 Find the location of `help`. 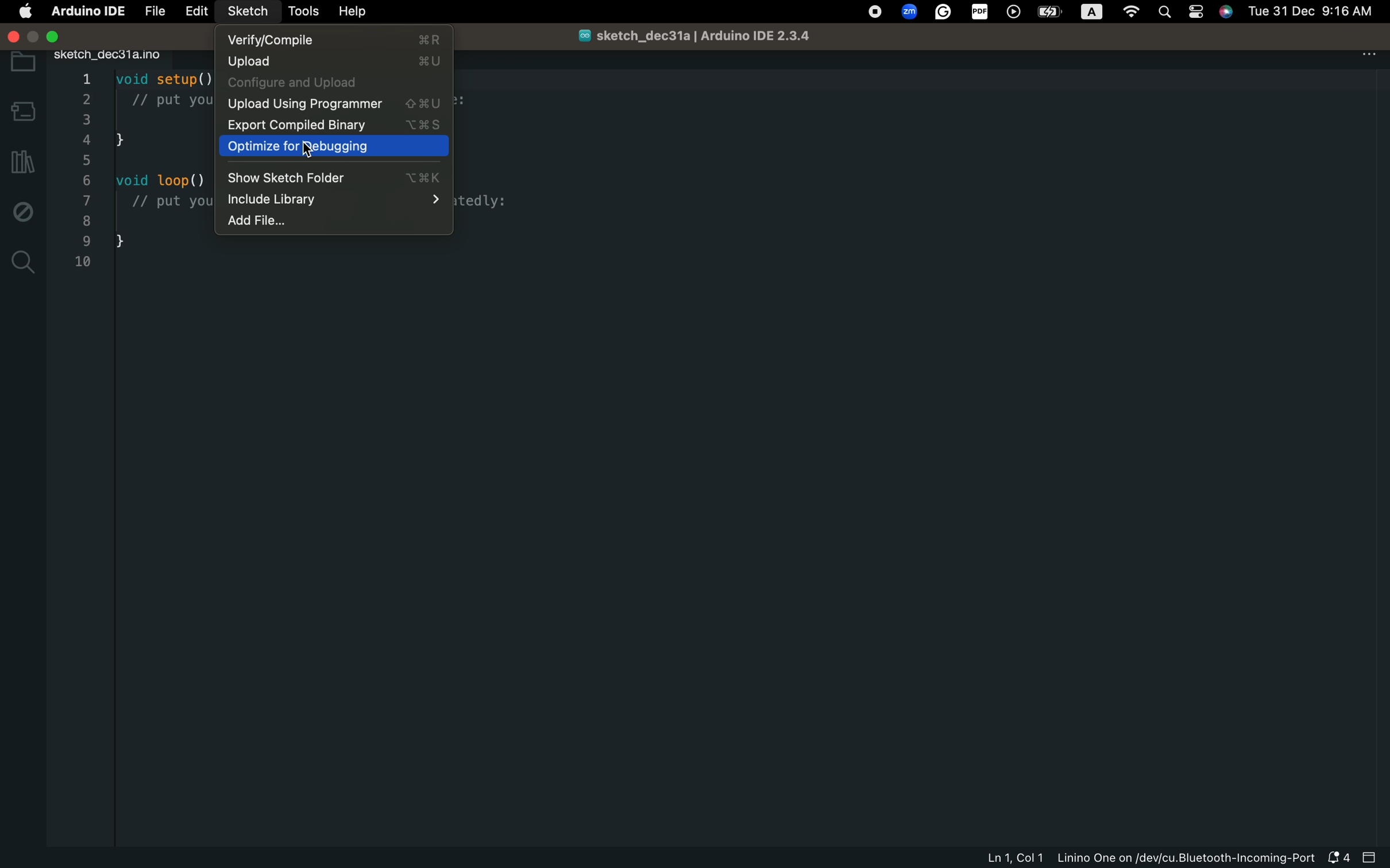

help is located at coordinates (361, 13).